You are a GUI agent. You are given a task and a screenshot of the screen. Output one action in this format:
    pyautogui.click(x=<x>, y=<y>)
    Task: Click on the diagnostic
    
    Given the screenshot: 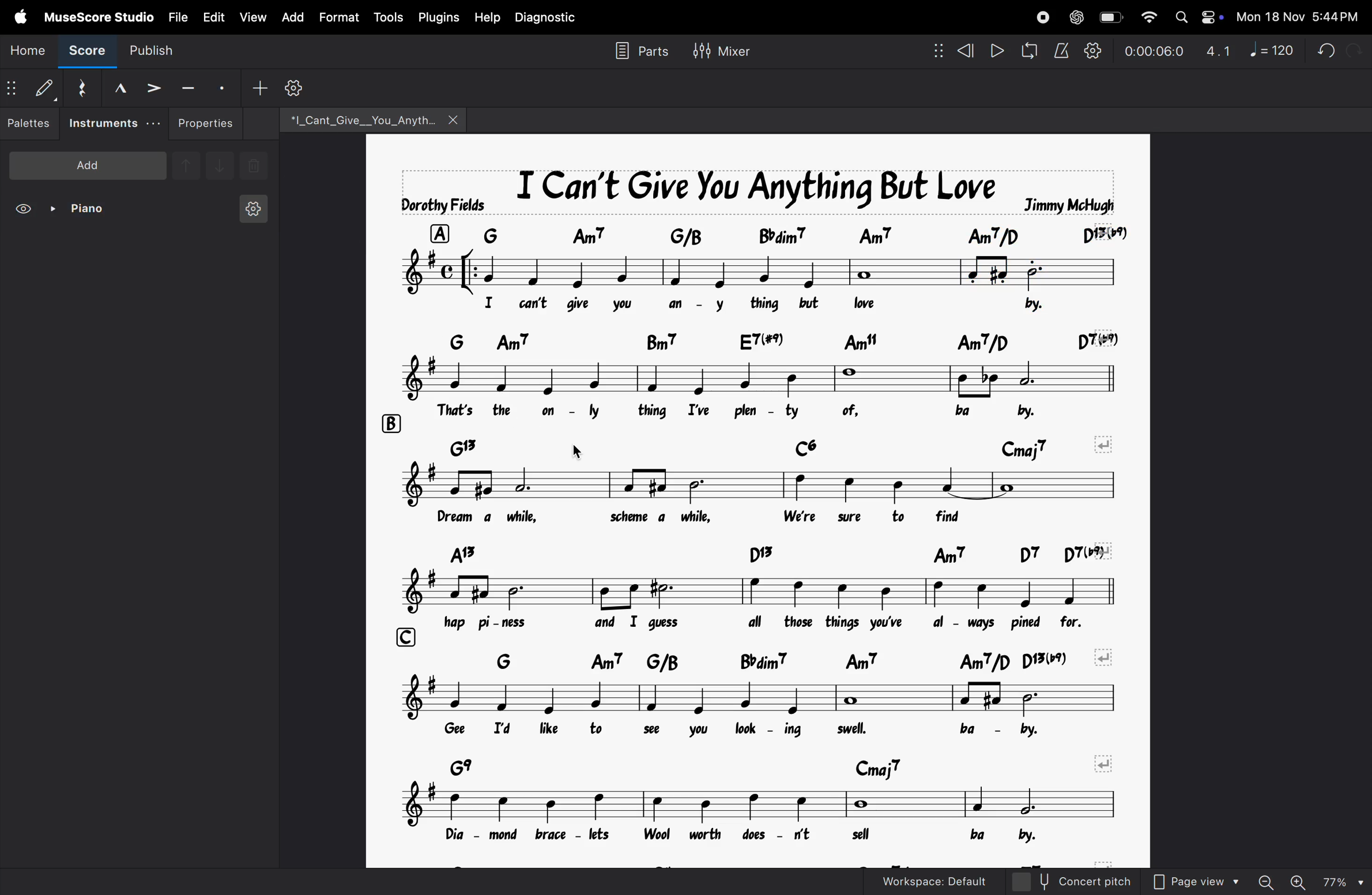 What is the action you would take?
    pyautogui.click(x=550, y=20)
    